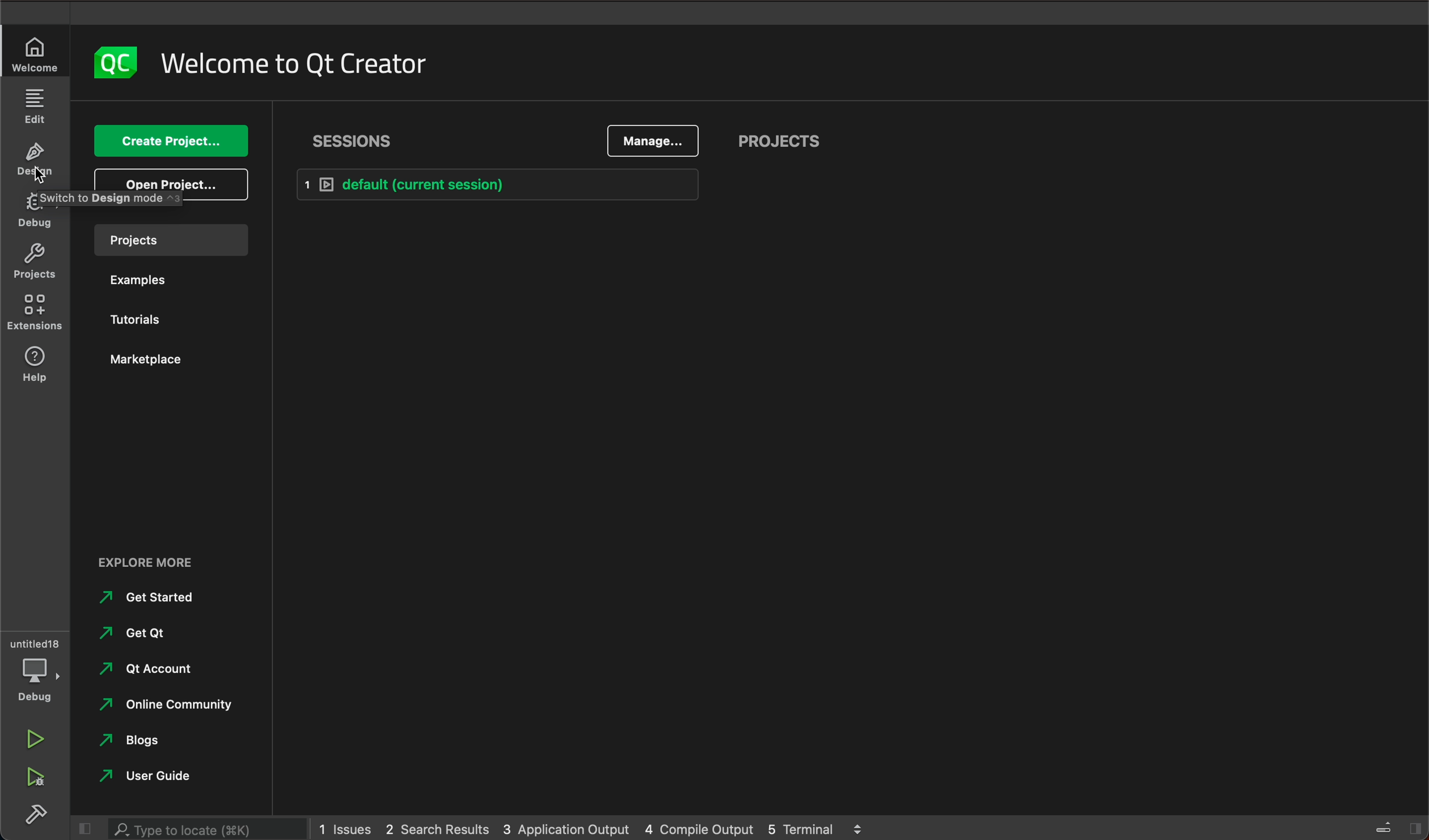  Describe the element at coordinates (32, 314) in the screenshot. I see `help` at that location.